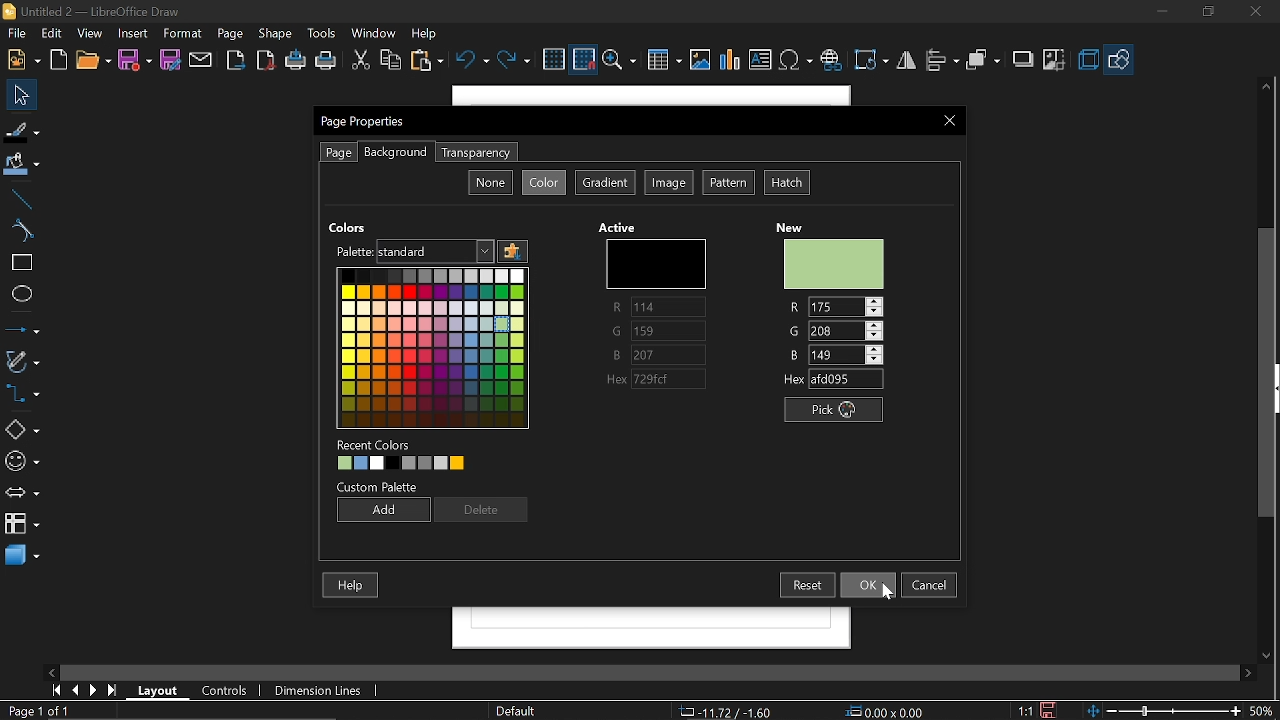 This screenshot has width=1280, height=720. What do you see at coordinates (323, 34) in the screenshot?
I see `Tools` at bounding box center [323, 34].